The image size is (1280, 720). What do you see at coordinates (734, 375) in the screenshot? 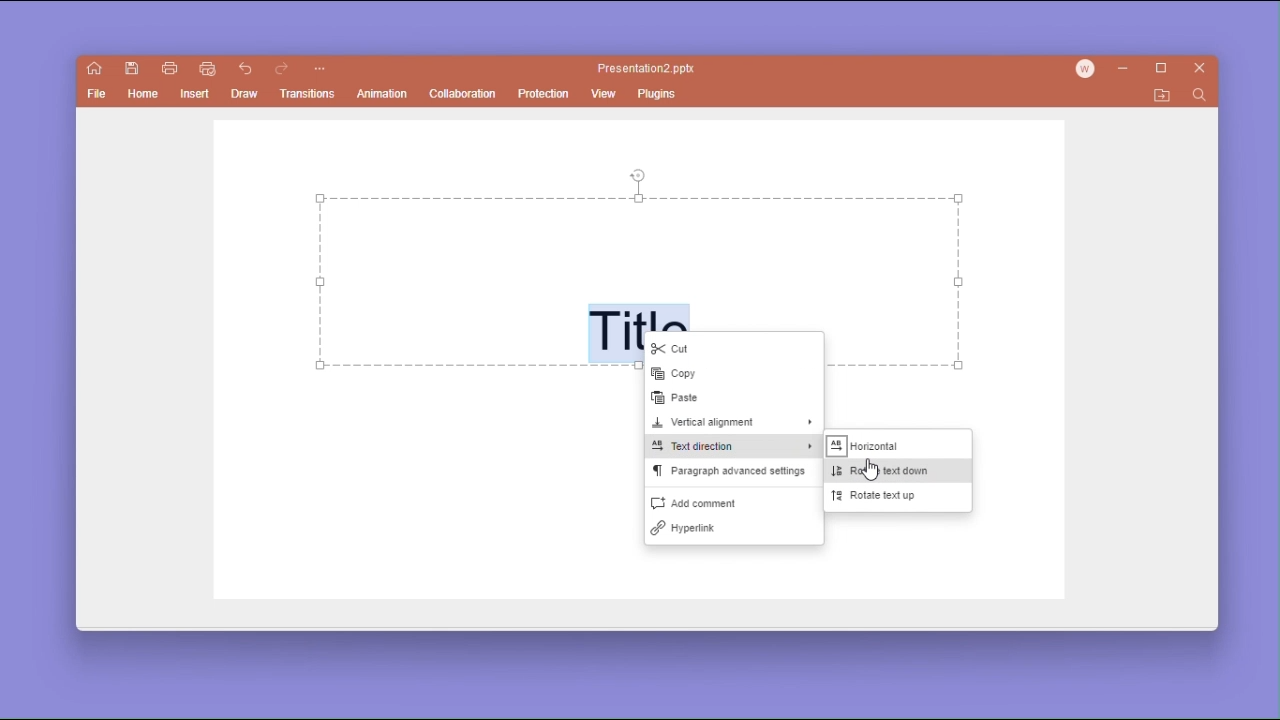
I see `copy` at bounding box center [734, 375].